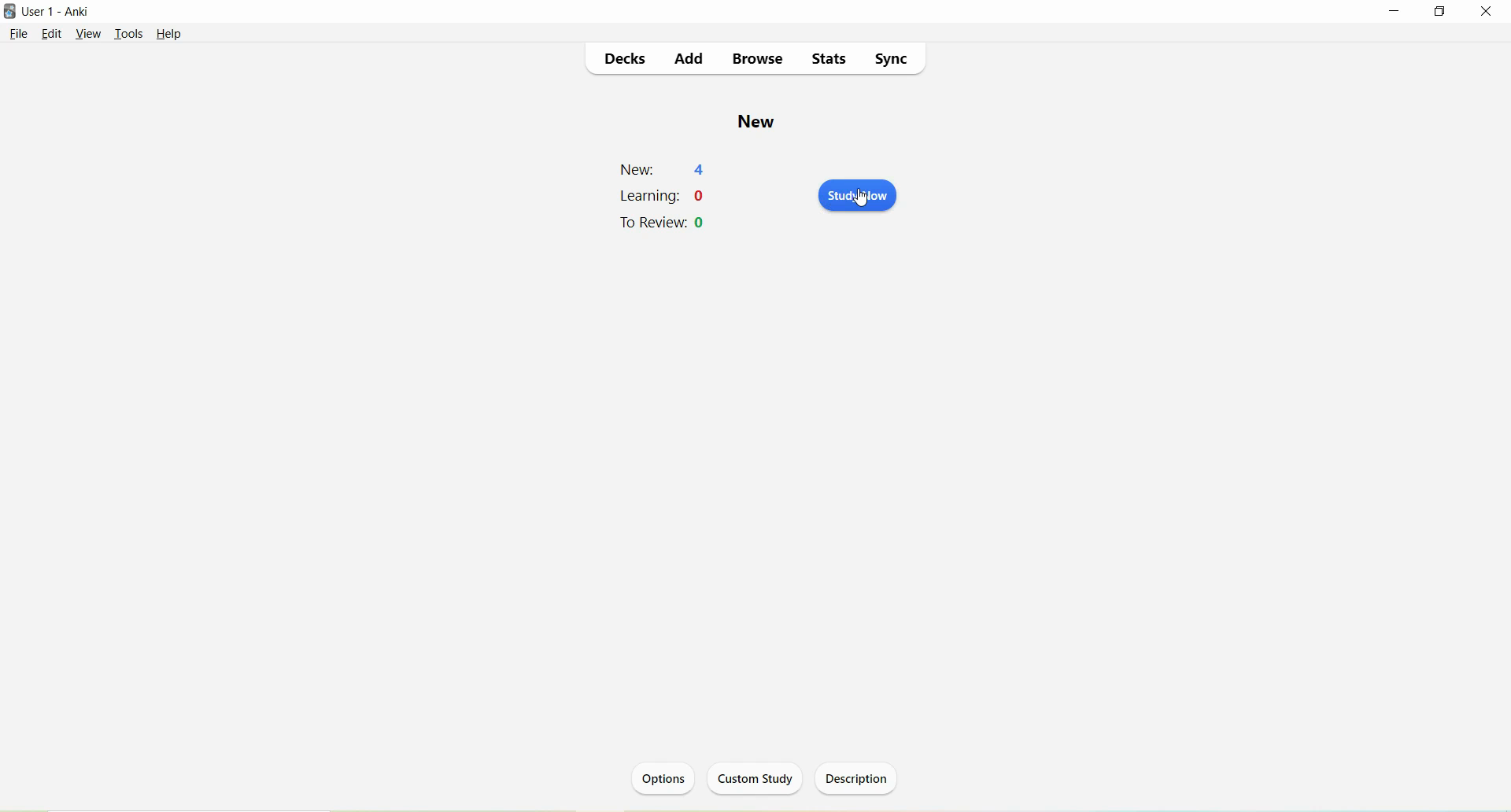 This screenshot has height=812, width=1511. Describe the element at coordinates (702, 169) in the screenshot. I see `4` at that location.